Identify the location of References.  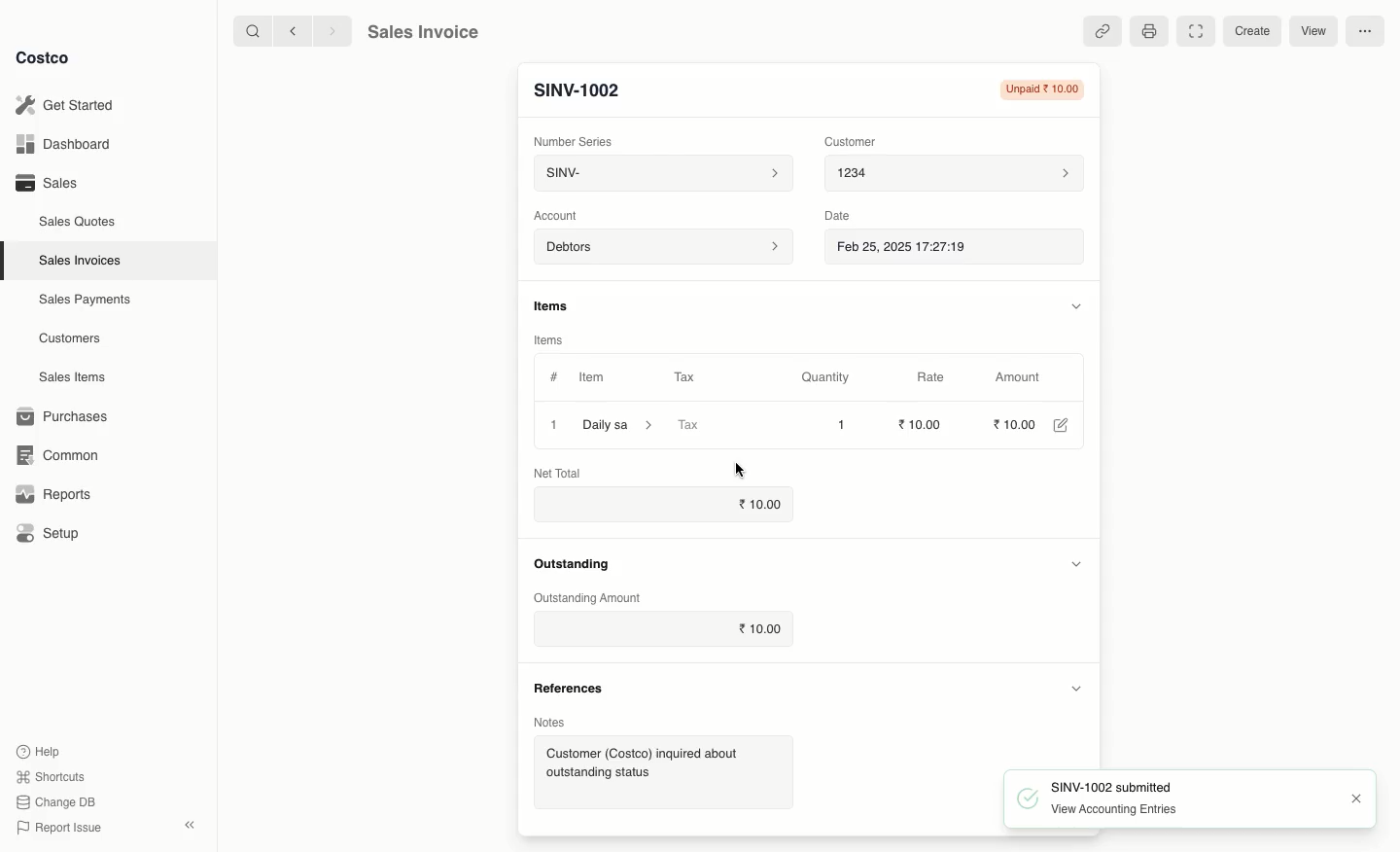
(573, 690).